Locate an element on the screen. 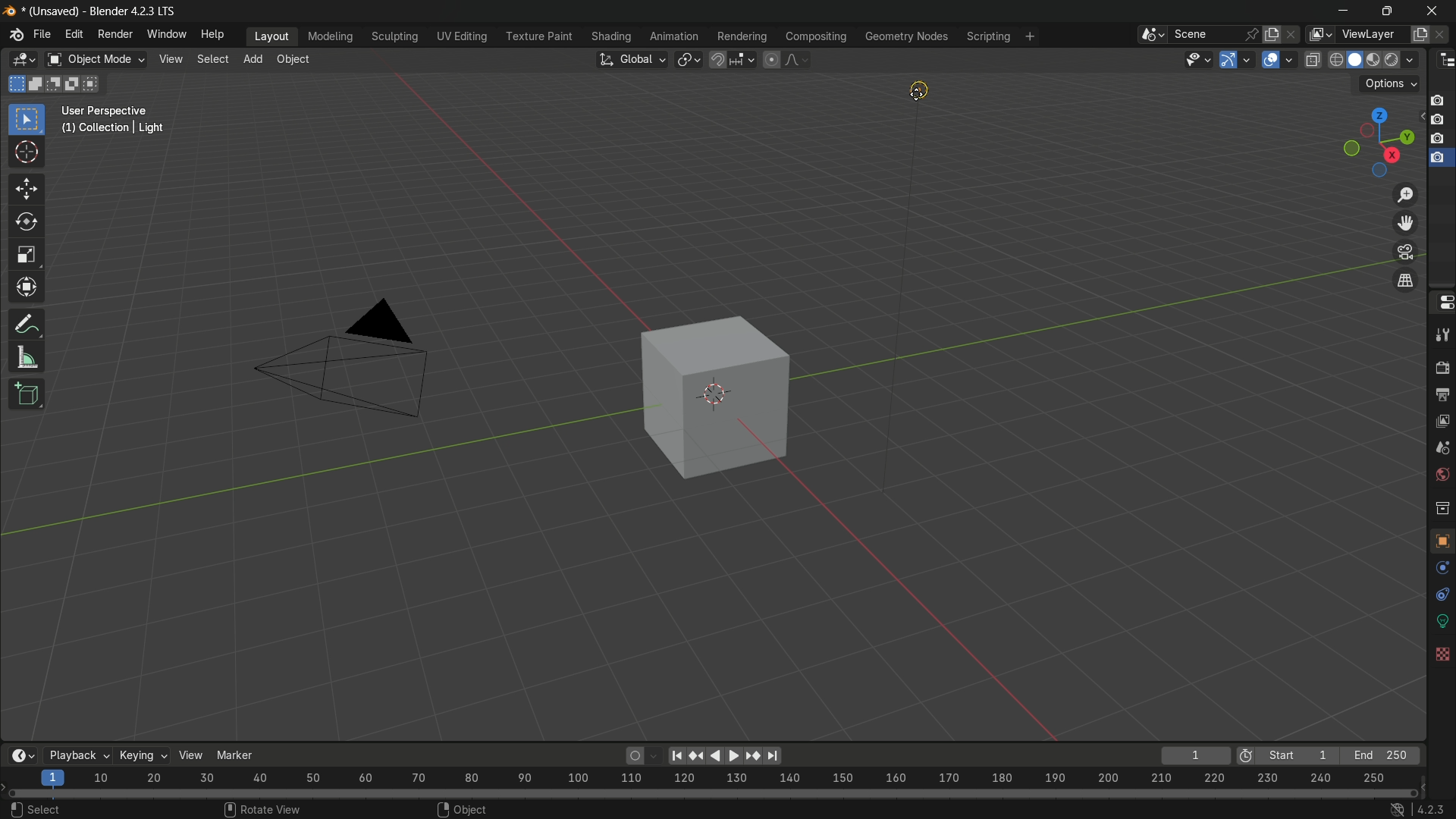  end is located at coordinates (1382, 755).